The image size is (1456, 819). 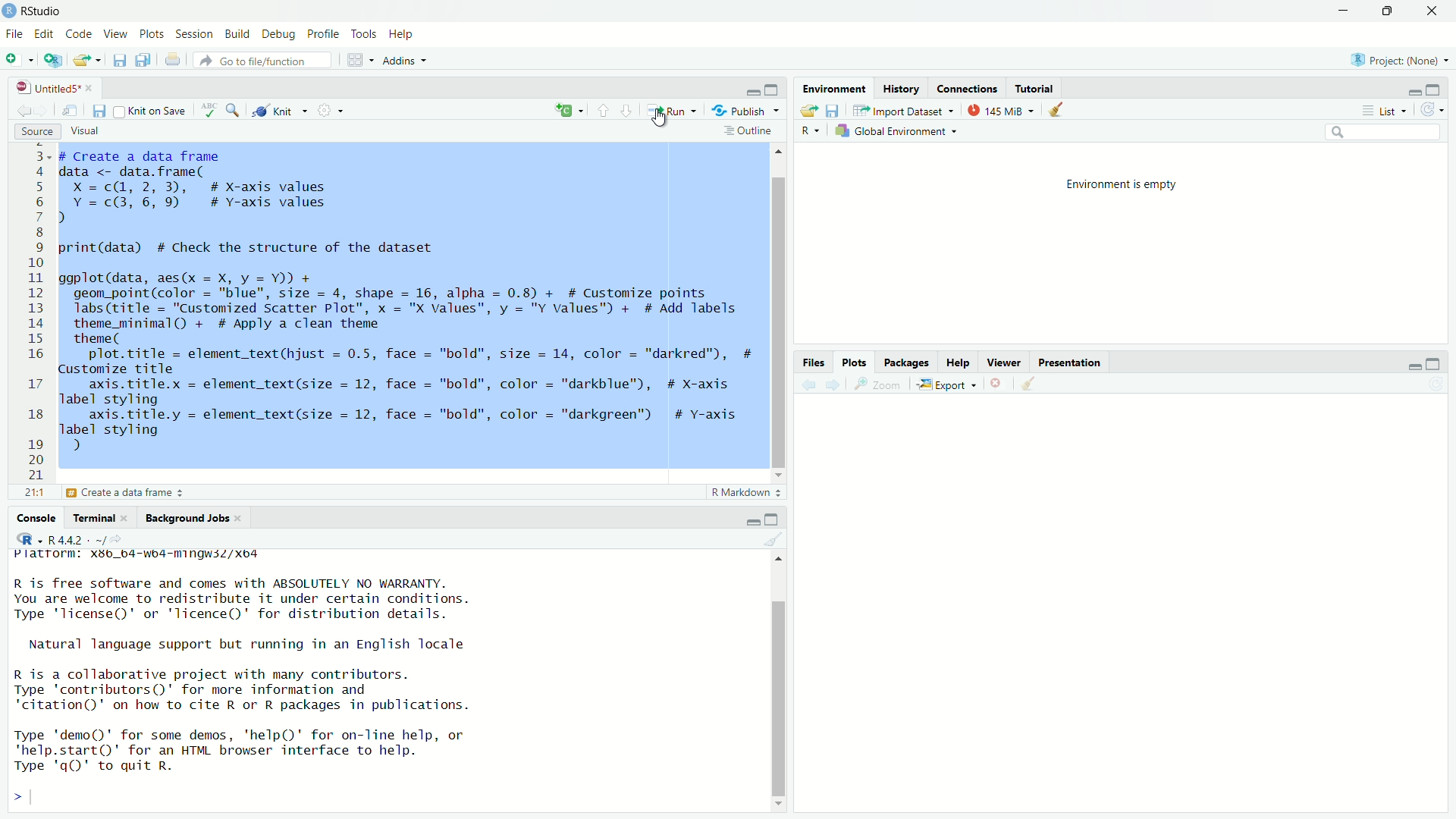 I want to click on Export , so click(x=942, y=384).